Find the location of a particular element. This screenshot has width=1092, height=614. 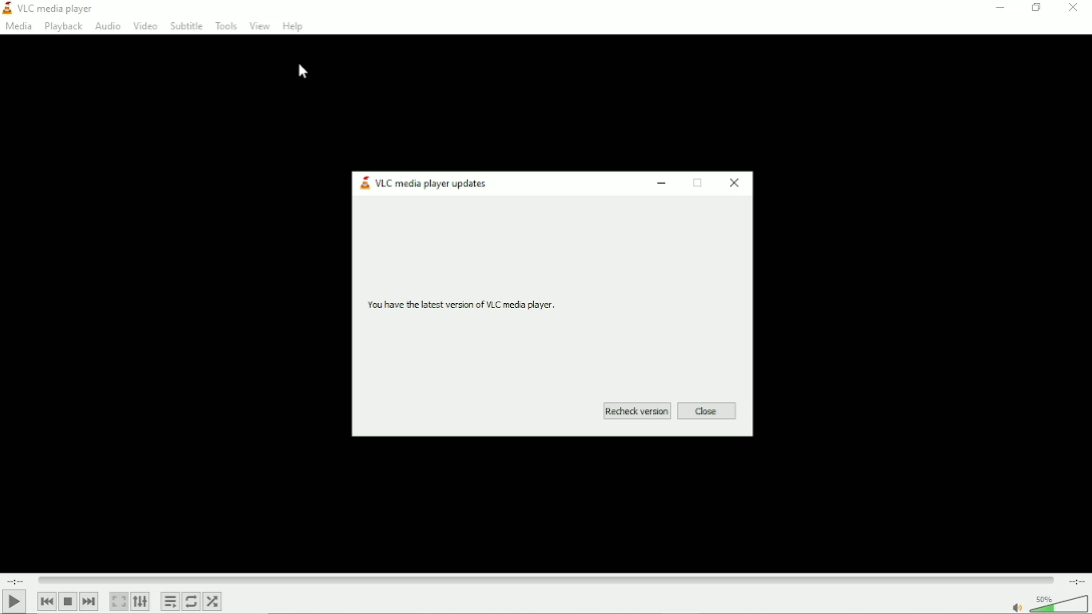

Maximize is located at coordinates (697, 183).